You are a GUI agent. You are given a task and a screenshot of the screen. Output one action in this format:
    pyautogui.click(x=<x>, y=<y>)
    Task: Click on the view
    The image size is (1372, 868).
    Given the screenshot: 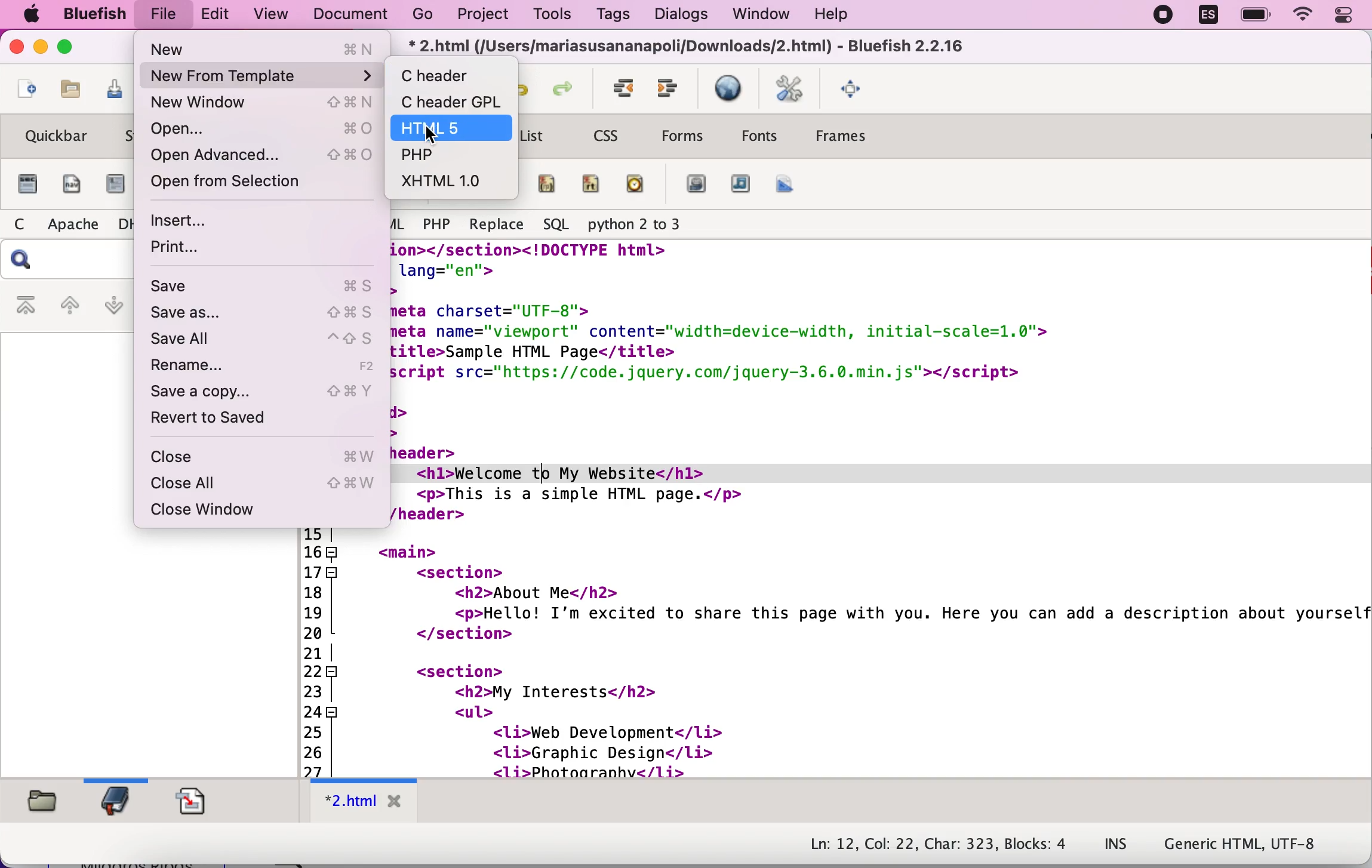 What is the action you would take?
    pyautogui.click(x=270, y=15)
    